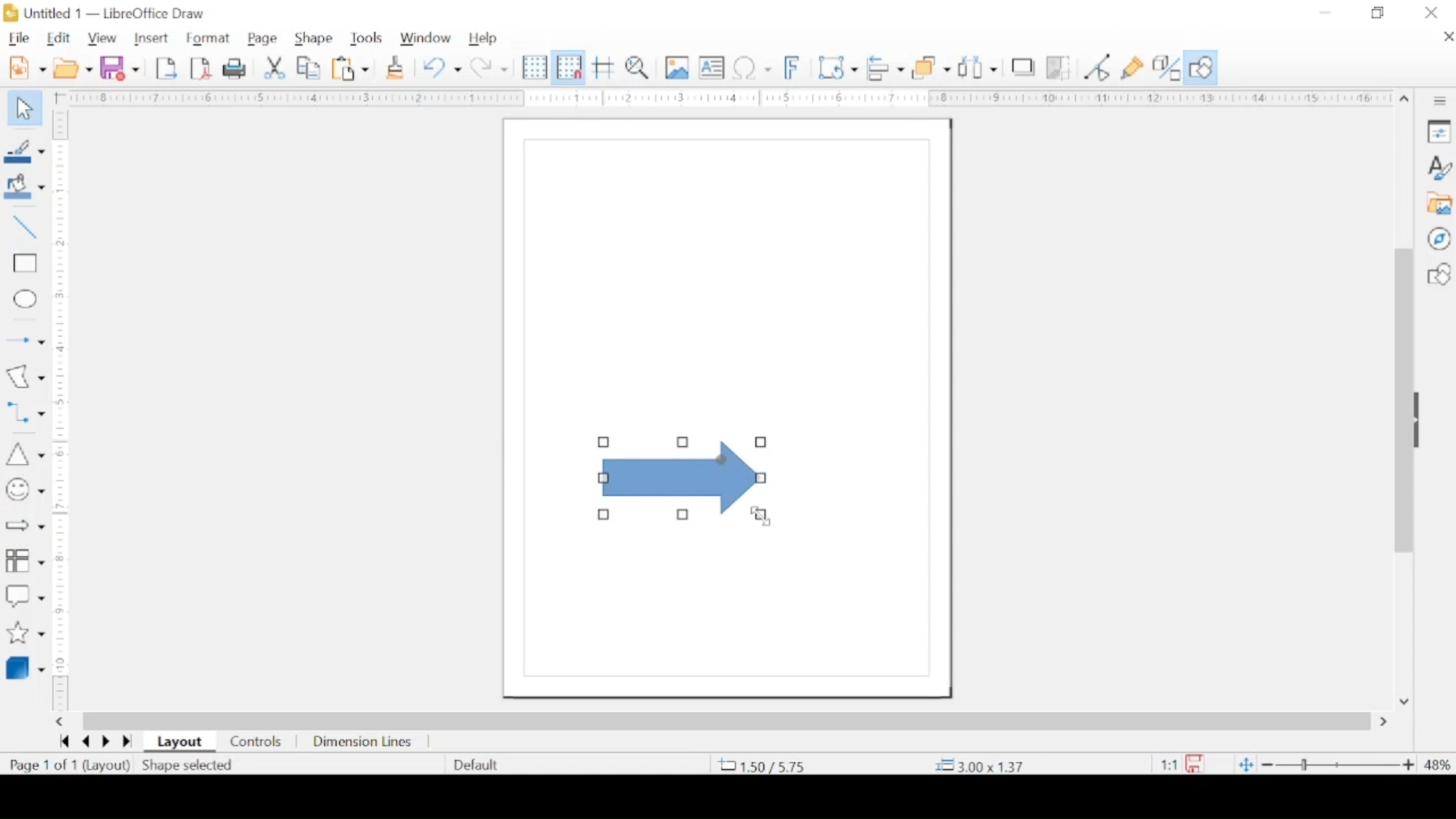 The width and height of the screenshot is (1456, 819). Describe the element at coordinates (1404, 702) in the screenshot. I see `scroll down arrow` at that location.